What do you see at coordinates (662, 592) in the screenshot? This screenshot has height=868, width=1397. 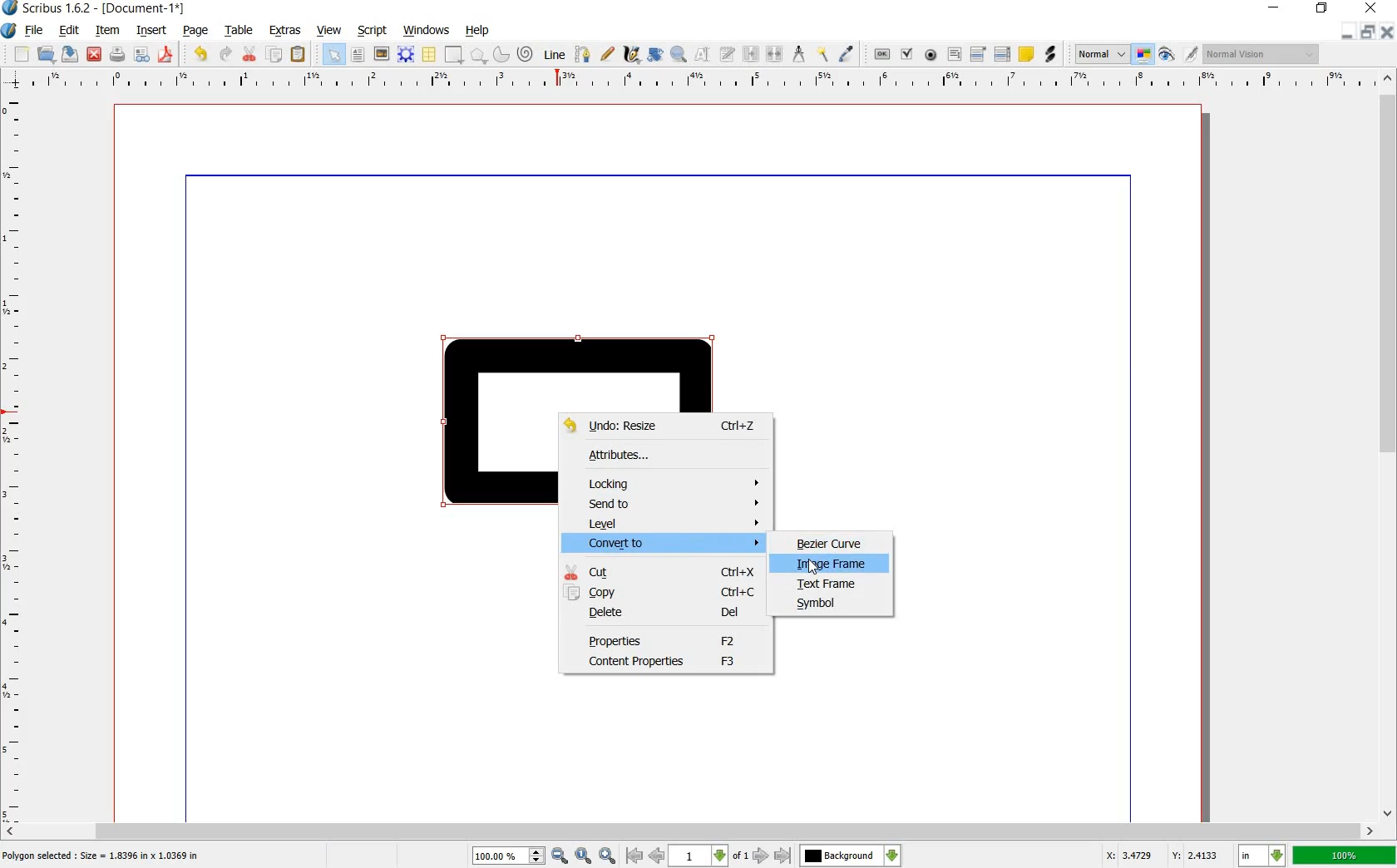 I see `COPY Ctrl+C` at bounding box center [662, 592].